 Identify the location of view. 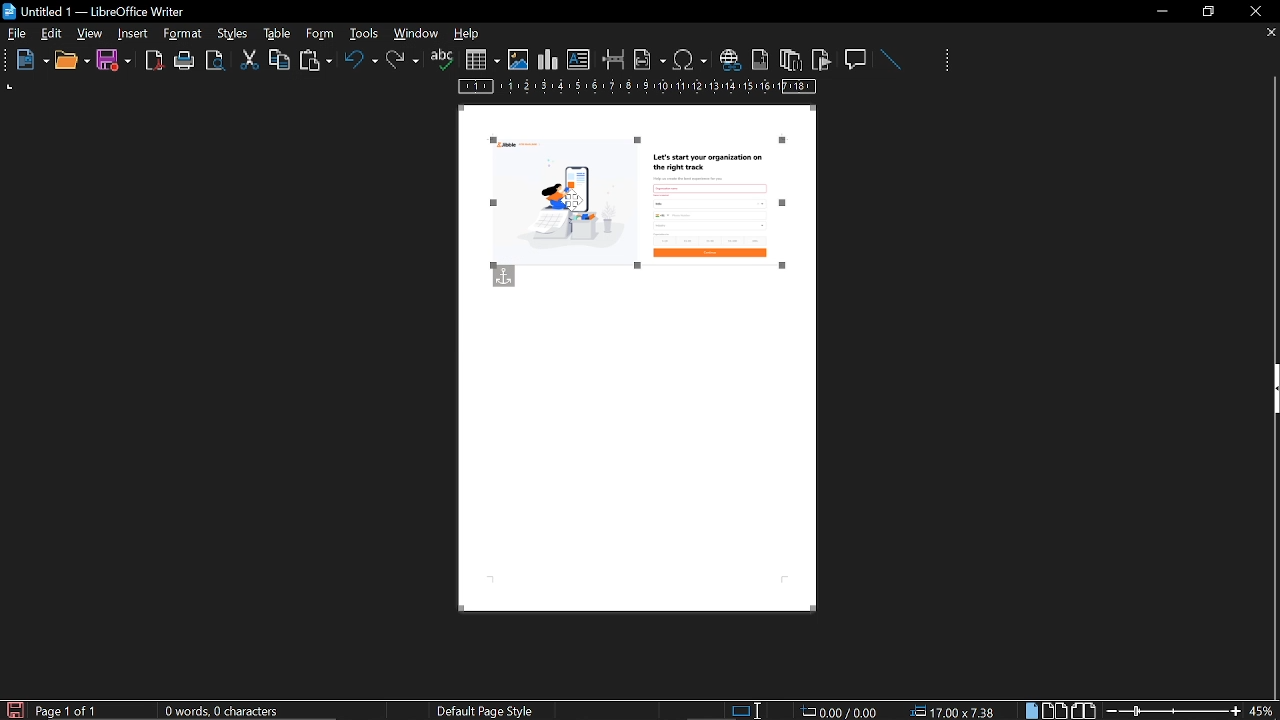
(91, 33).